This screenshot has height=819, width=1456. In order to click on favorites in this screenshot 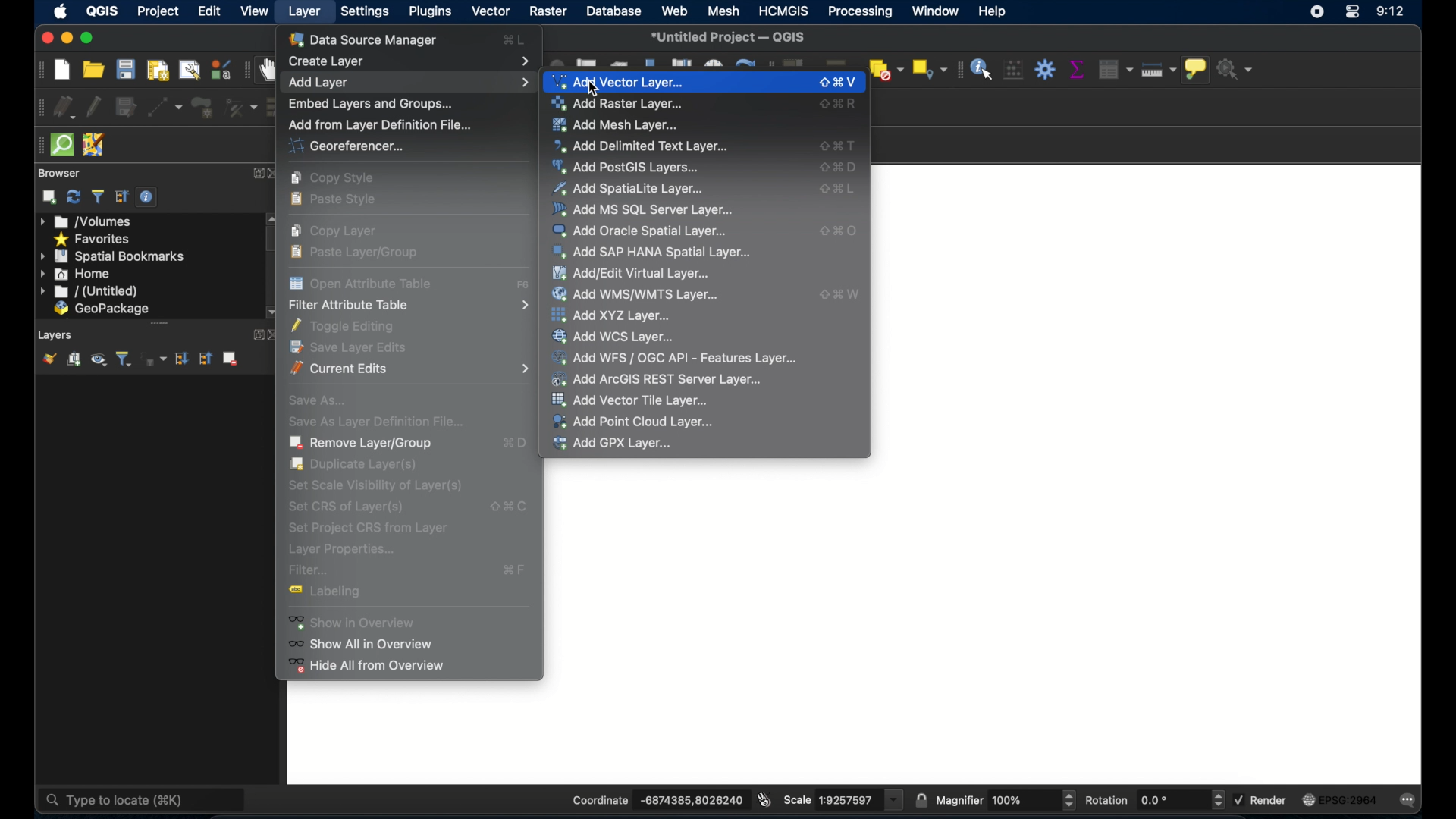, I will do `click(93, 238)`.